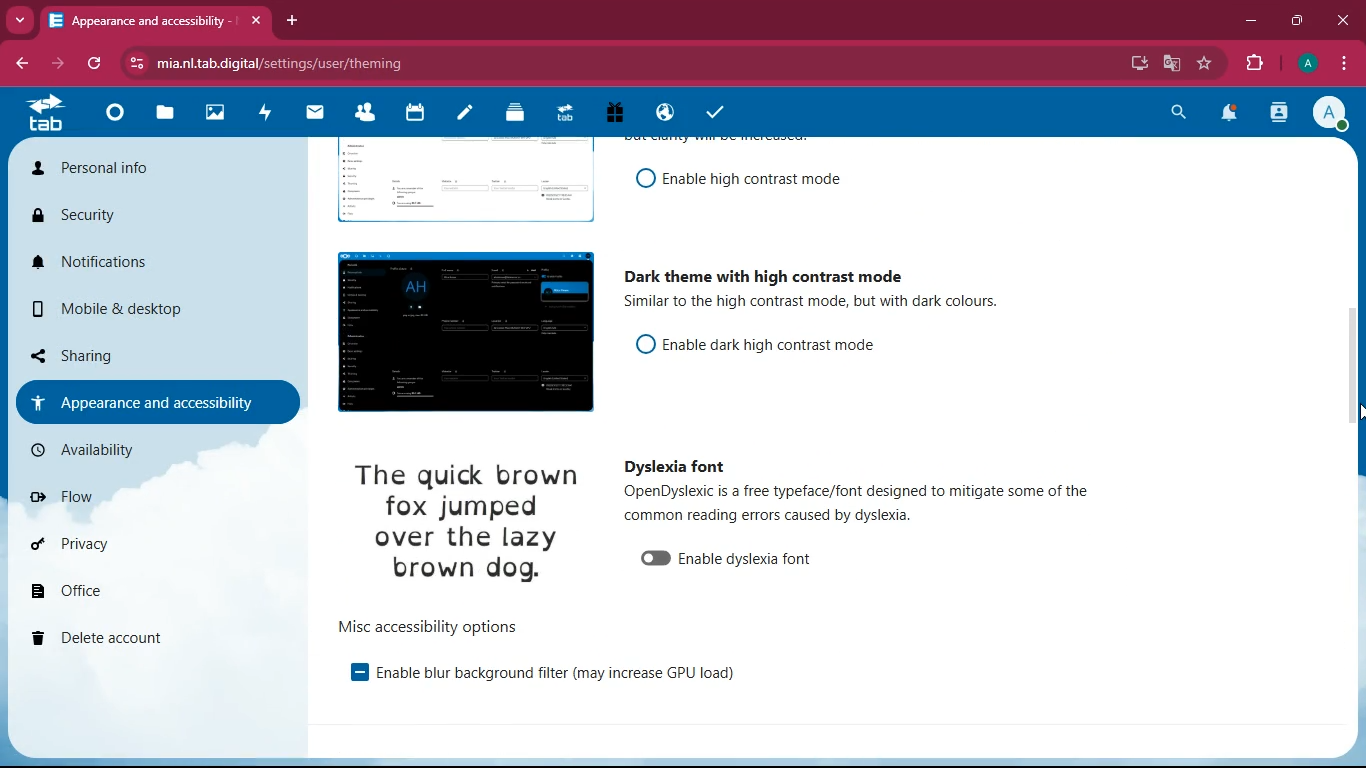  What do you see at coordinates (1305, 65) in the screenshot?
I see `profile` at bounding box center [1305, 65].